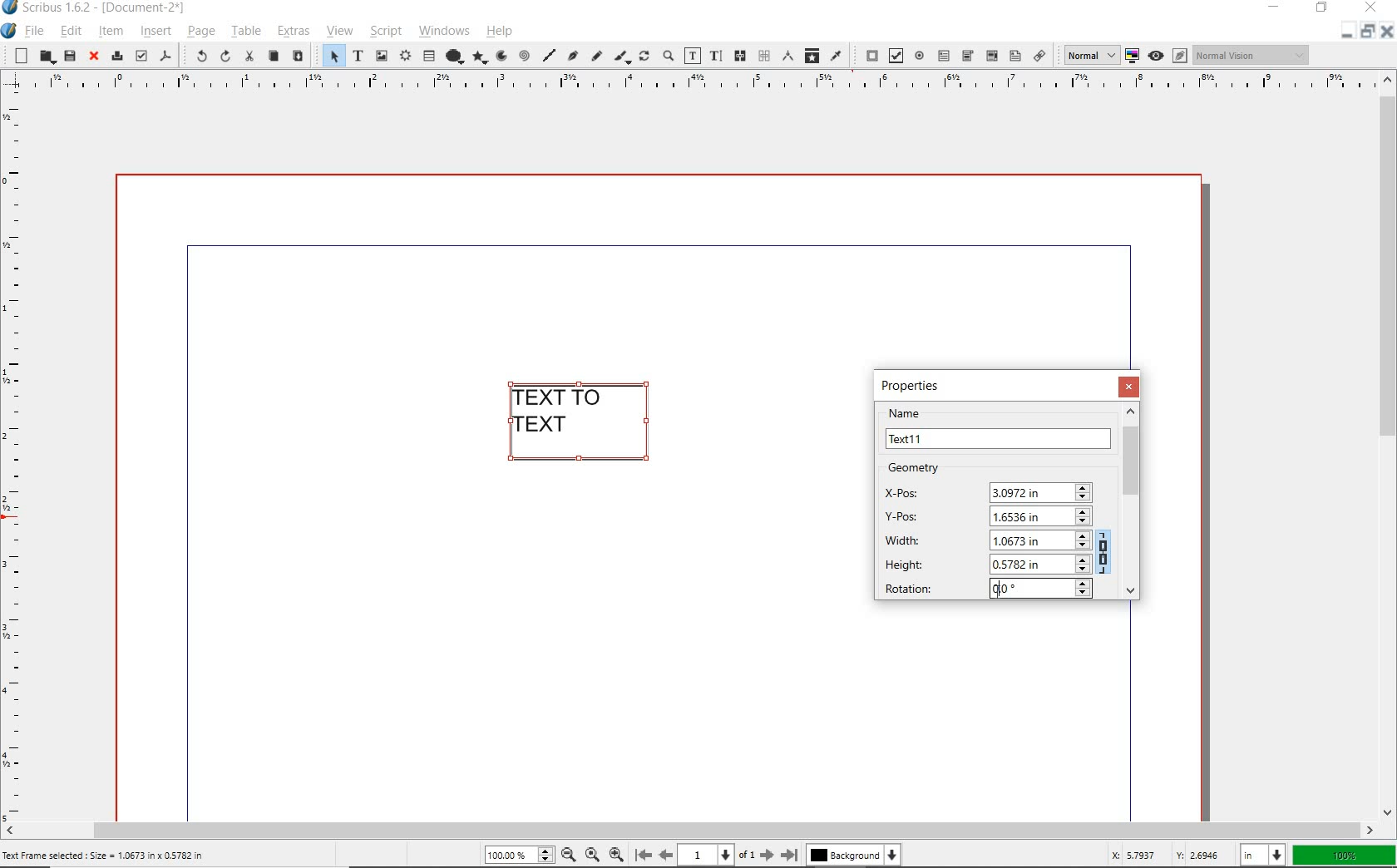  Describe the element at coordinates (643, 57) in the screenshot. I see `rotate item` at that location.